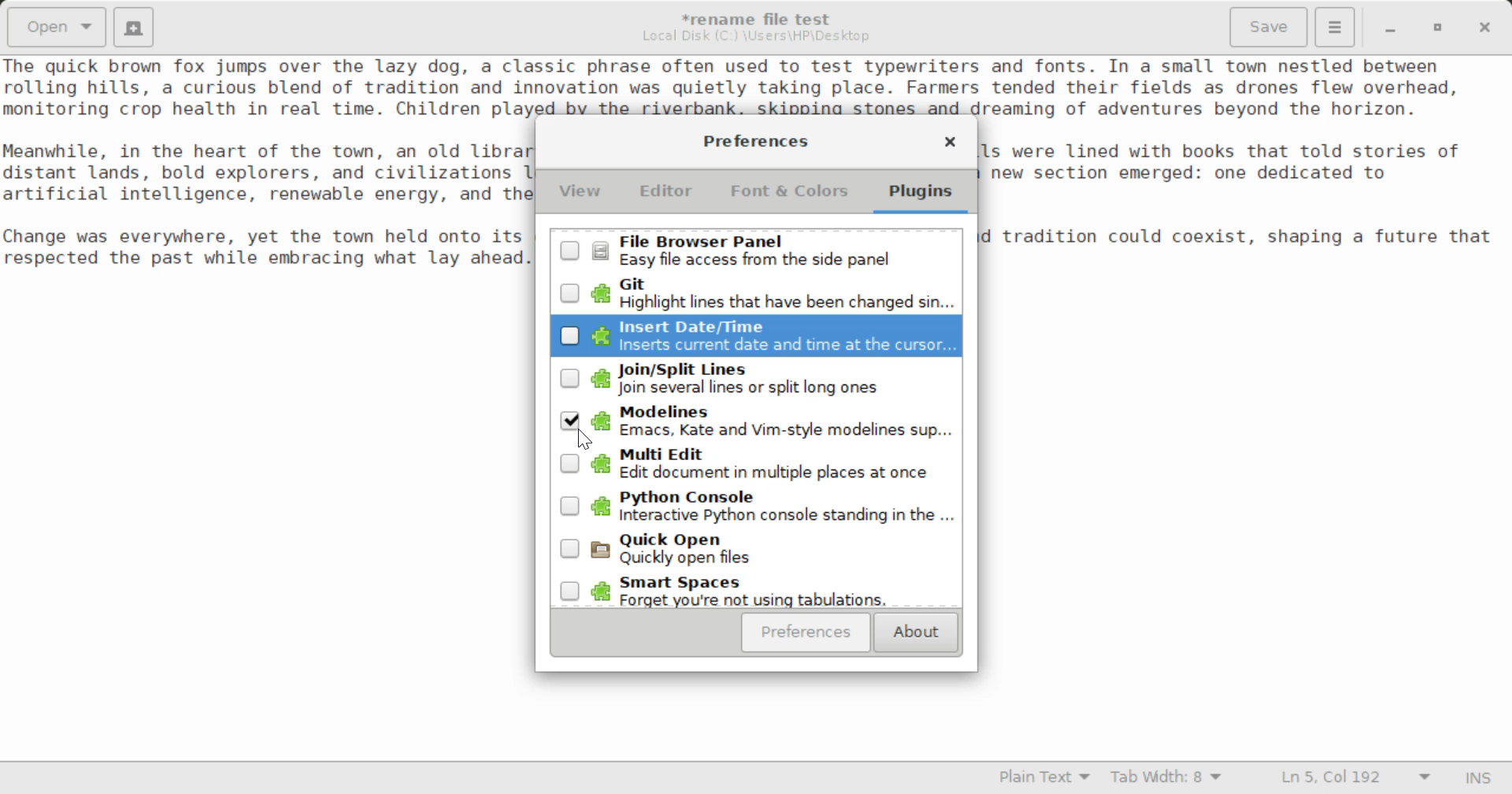  What do you see at coordinates (132, 25) in the screenshot?
I see `Create New Document` at bounding box center [132, 25].